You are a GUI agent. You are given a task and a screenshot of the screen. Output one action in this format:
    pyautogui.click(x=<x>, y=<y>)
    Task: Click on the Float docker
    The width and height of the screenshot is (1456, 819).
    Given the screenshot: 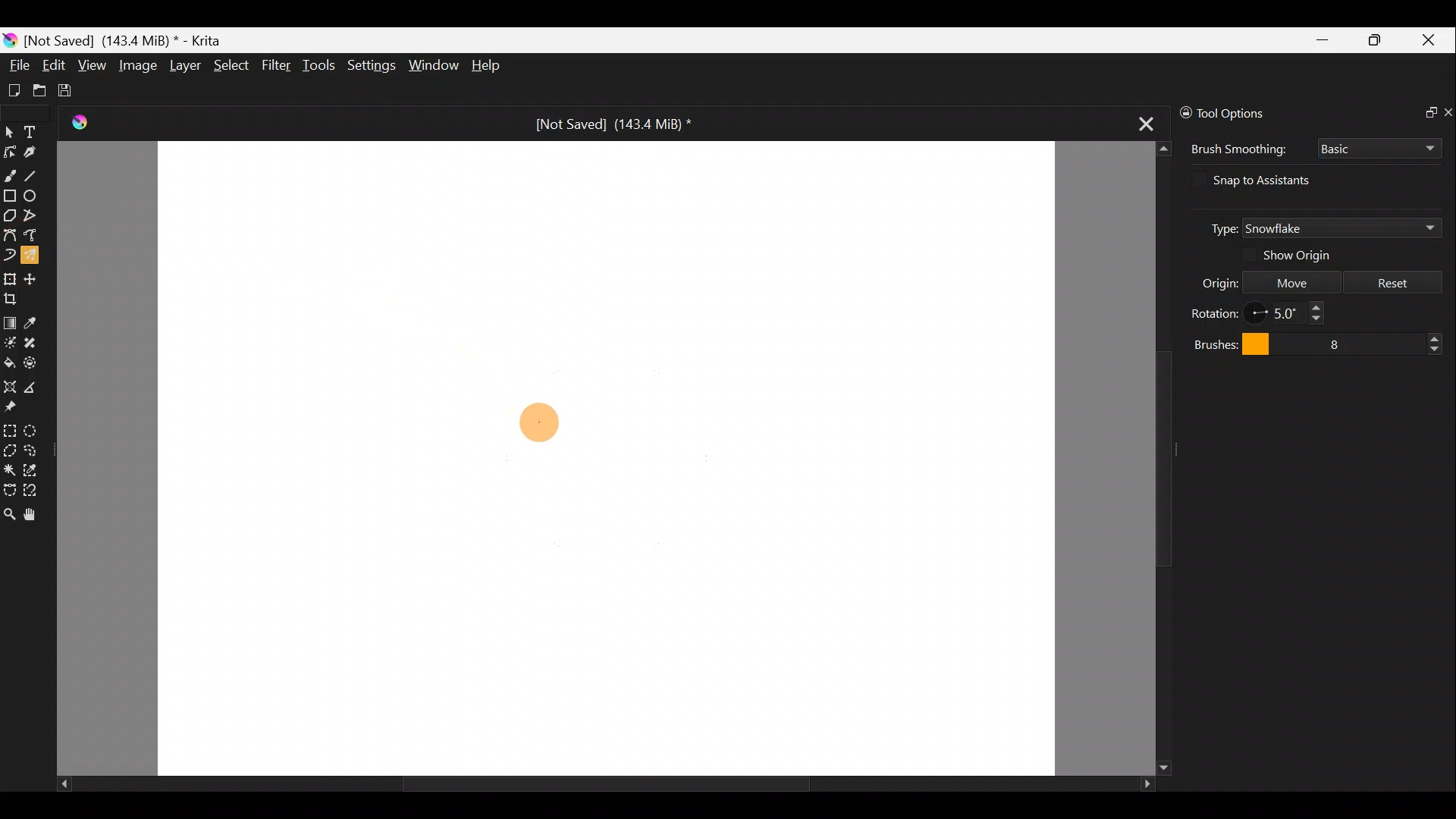 What is the action you would take?
    pyautogui.click(x=1424, y=110)
    